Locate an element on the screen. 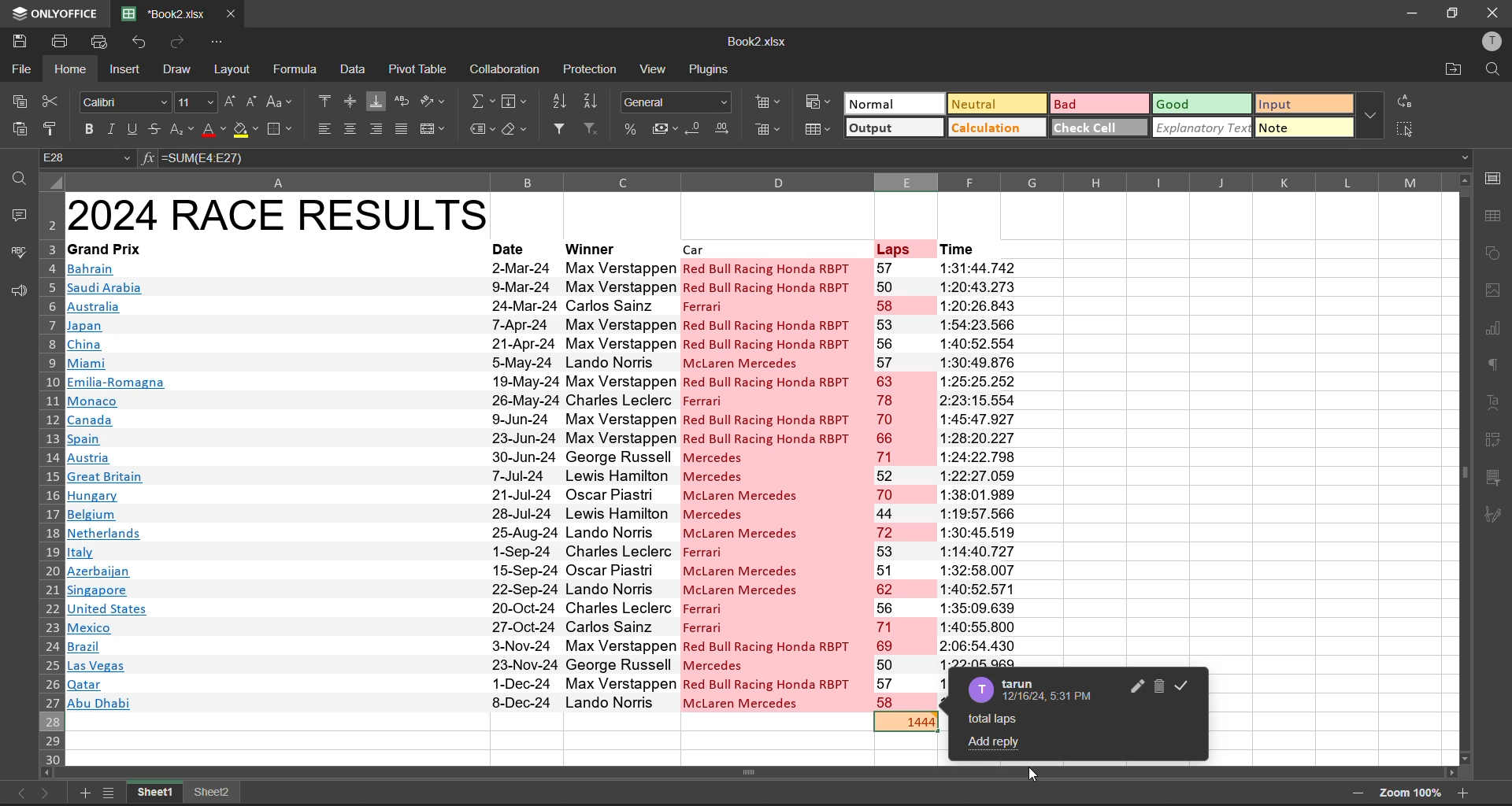  normal is located at coordinates (895, 104).